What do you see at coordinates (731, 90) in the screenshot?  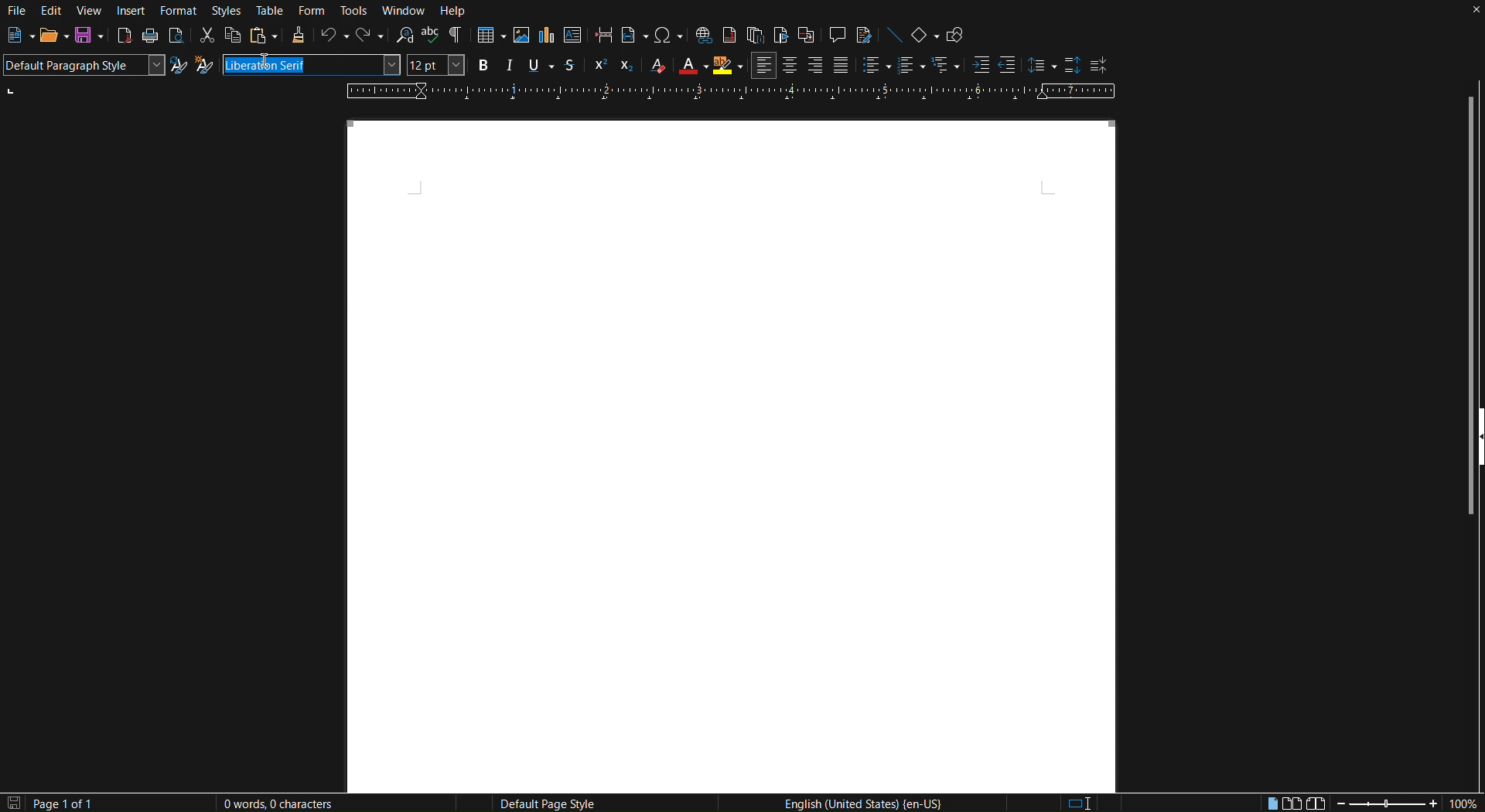 I see `Ruler` at bounding box center [731, 90].